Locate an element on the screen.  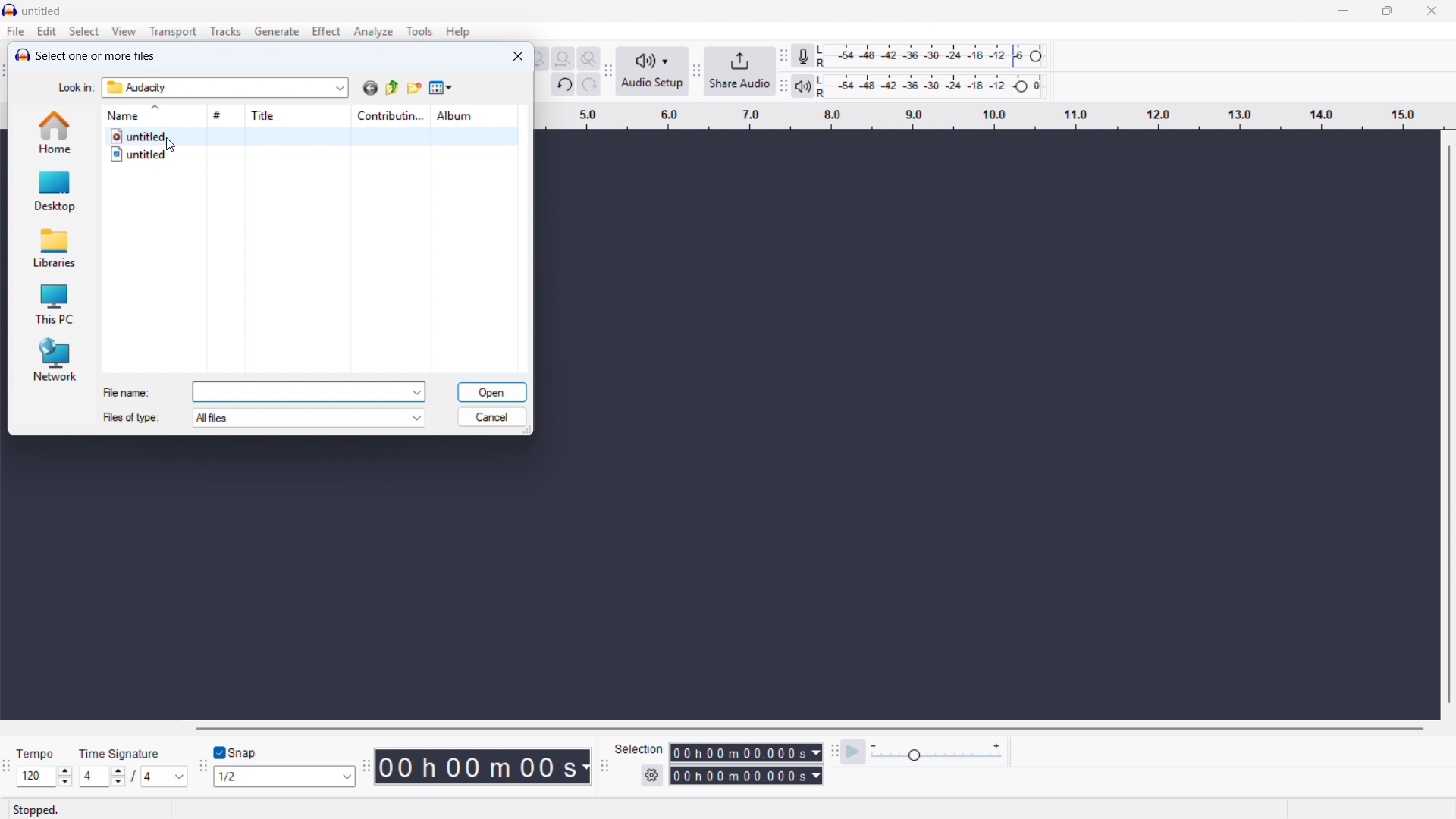
Toggle zoom  is located at coordinates (588, 58).